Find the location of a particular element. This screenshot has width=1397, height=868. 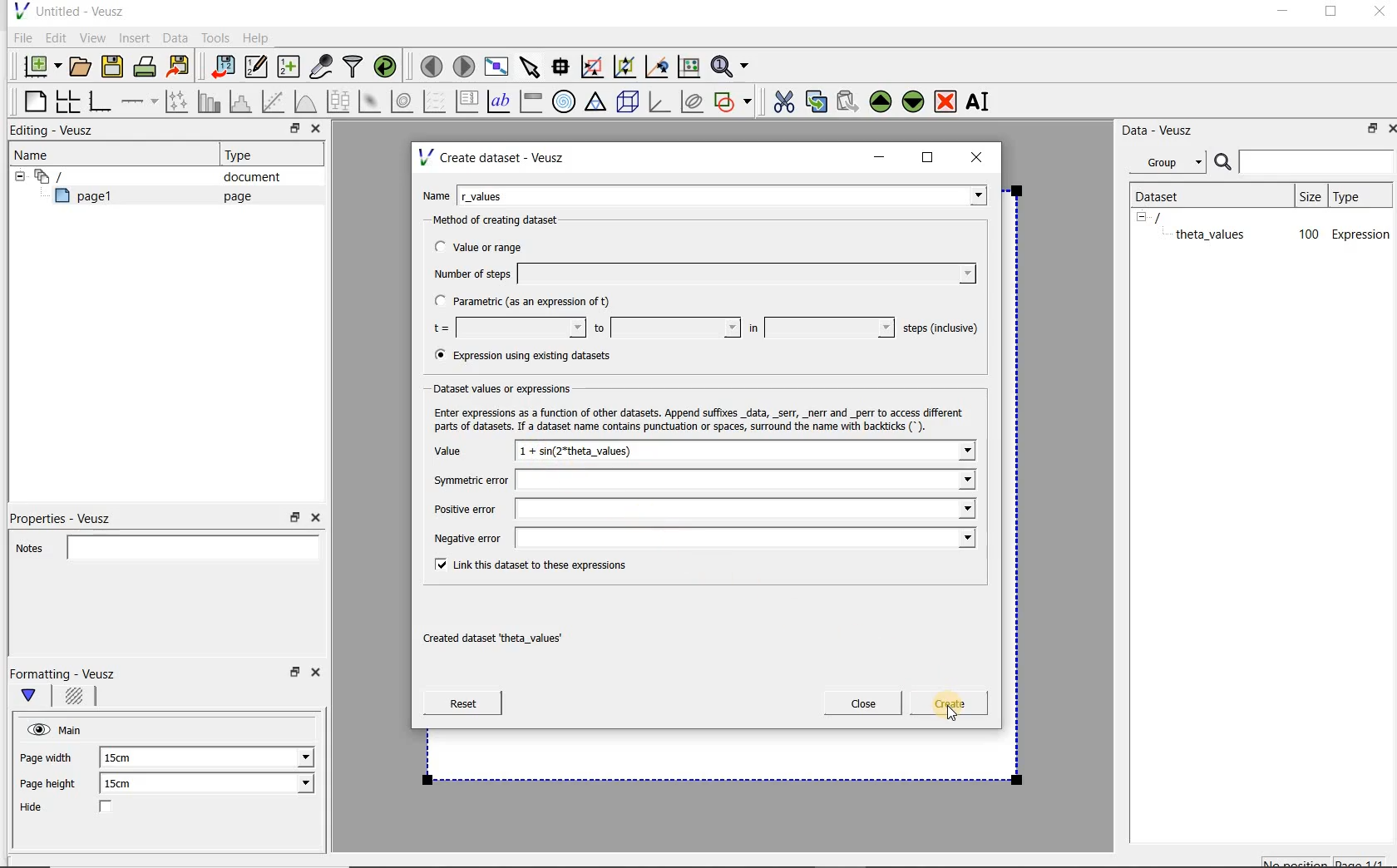

save the document is located at coordinates (116, 67).